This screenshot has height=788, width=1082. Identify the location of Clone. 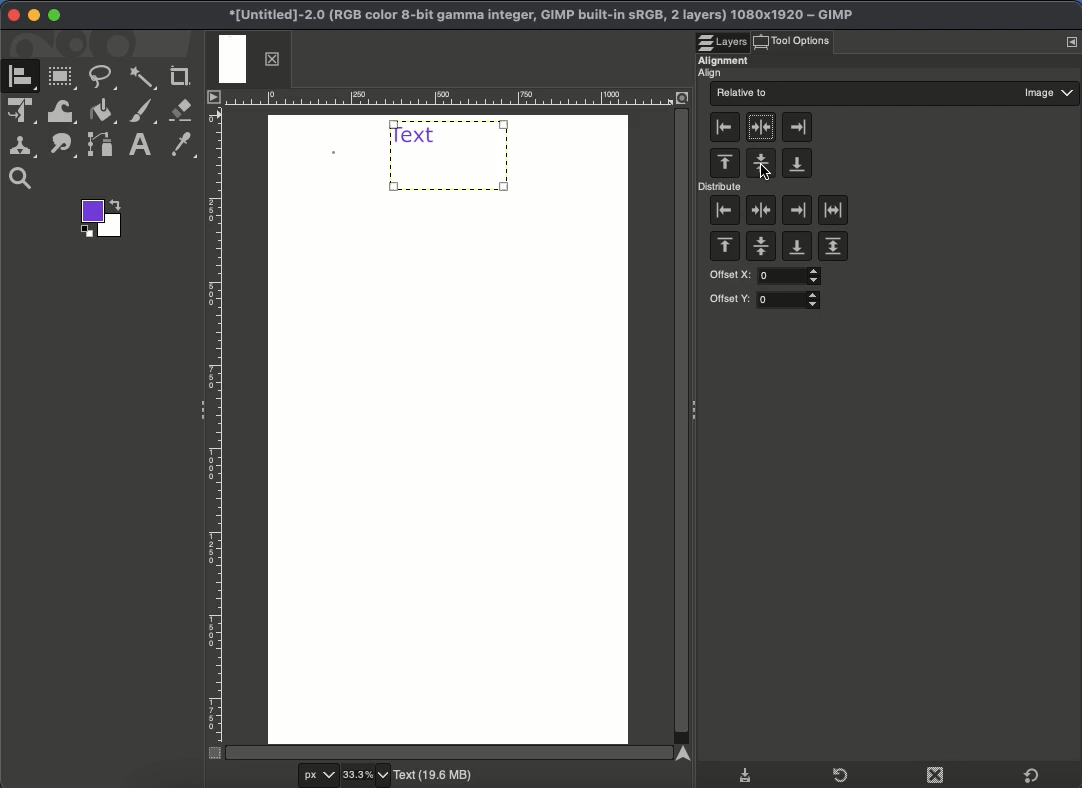
(24, 146).